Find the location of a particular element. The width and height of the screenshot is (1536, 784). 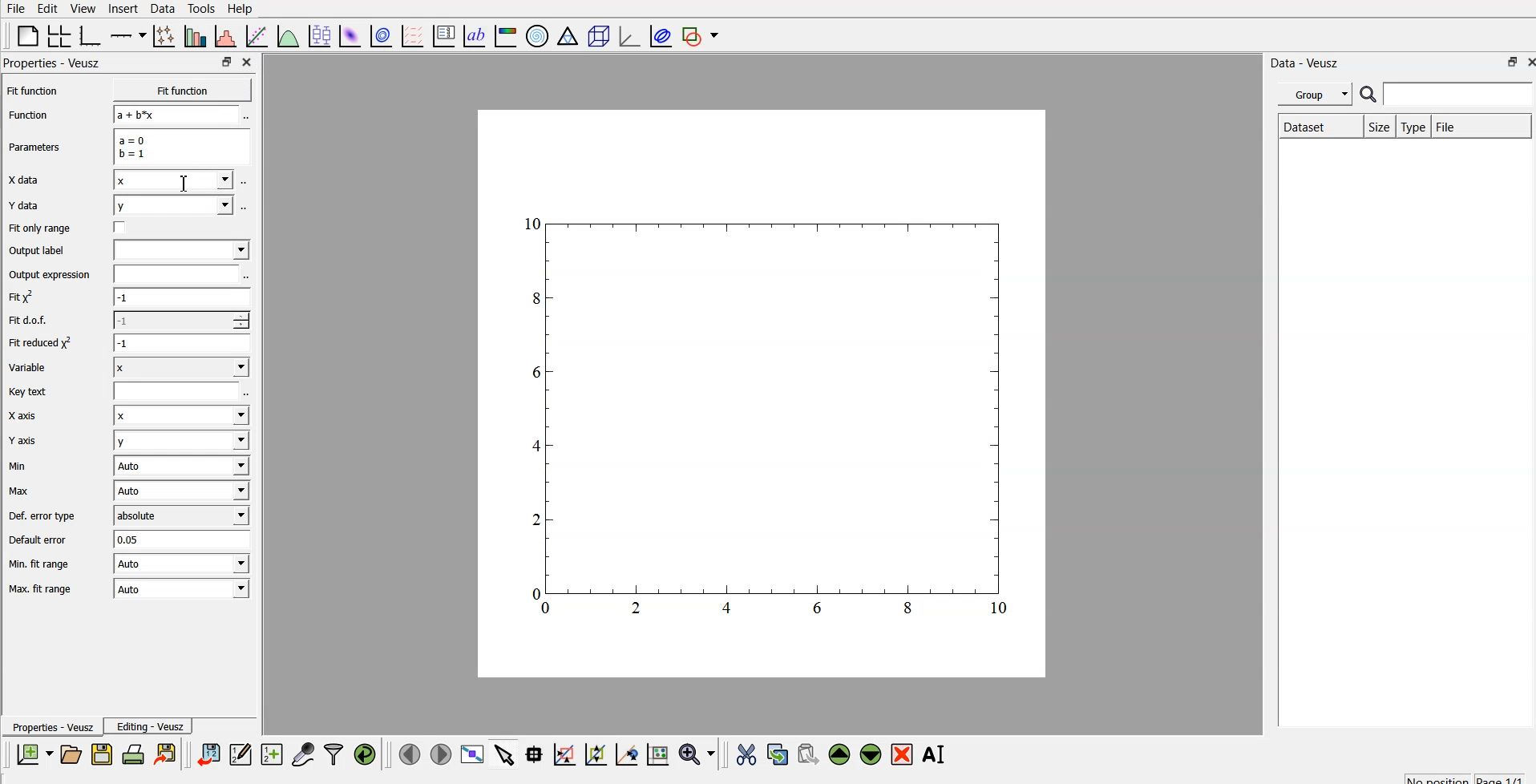

polar graph is located at coordinates (539, 37).